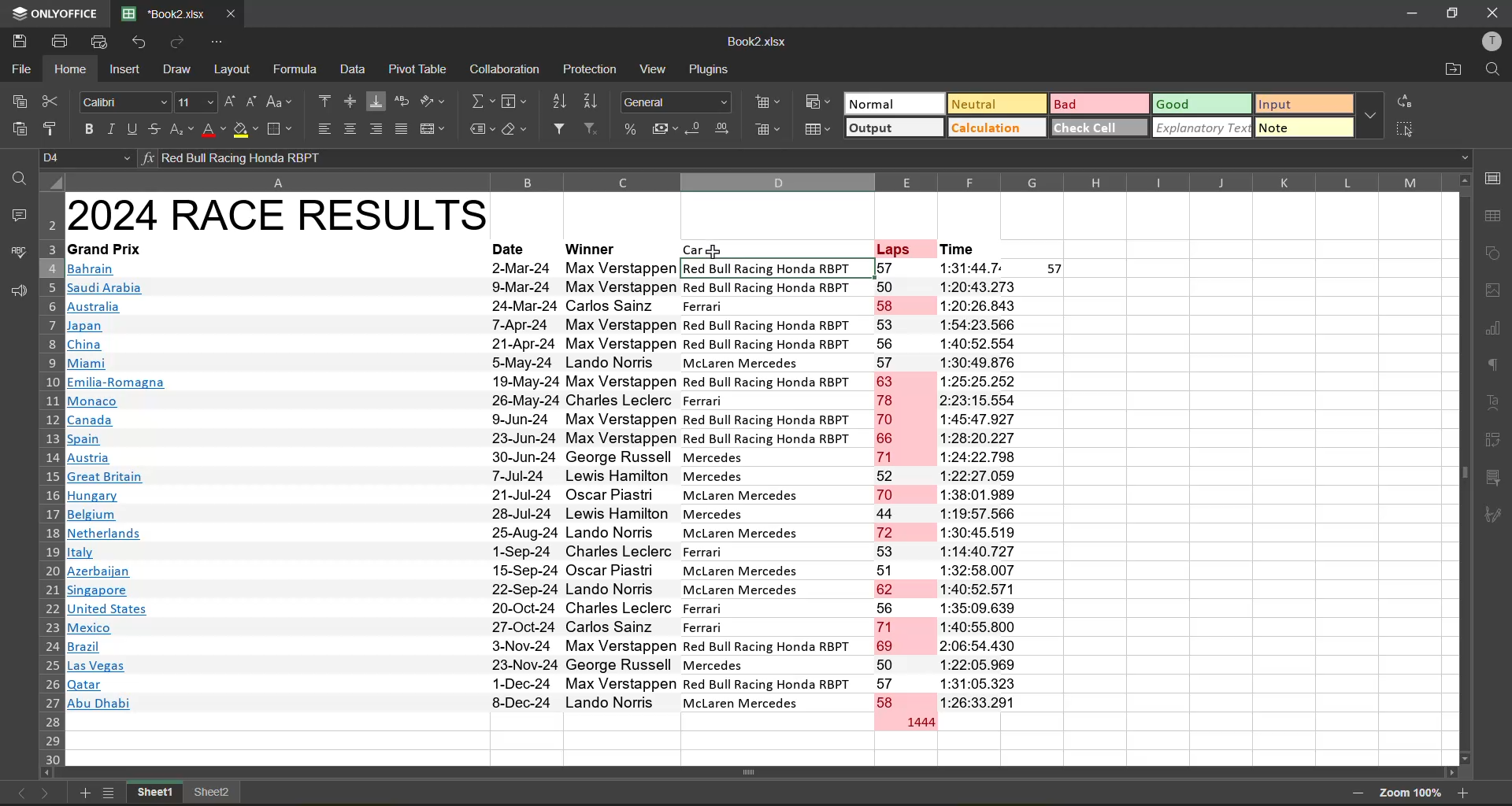  I want to click on bold, so click(85, 130).